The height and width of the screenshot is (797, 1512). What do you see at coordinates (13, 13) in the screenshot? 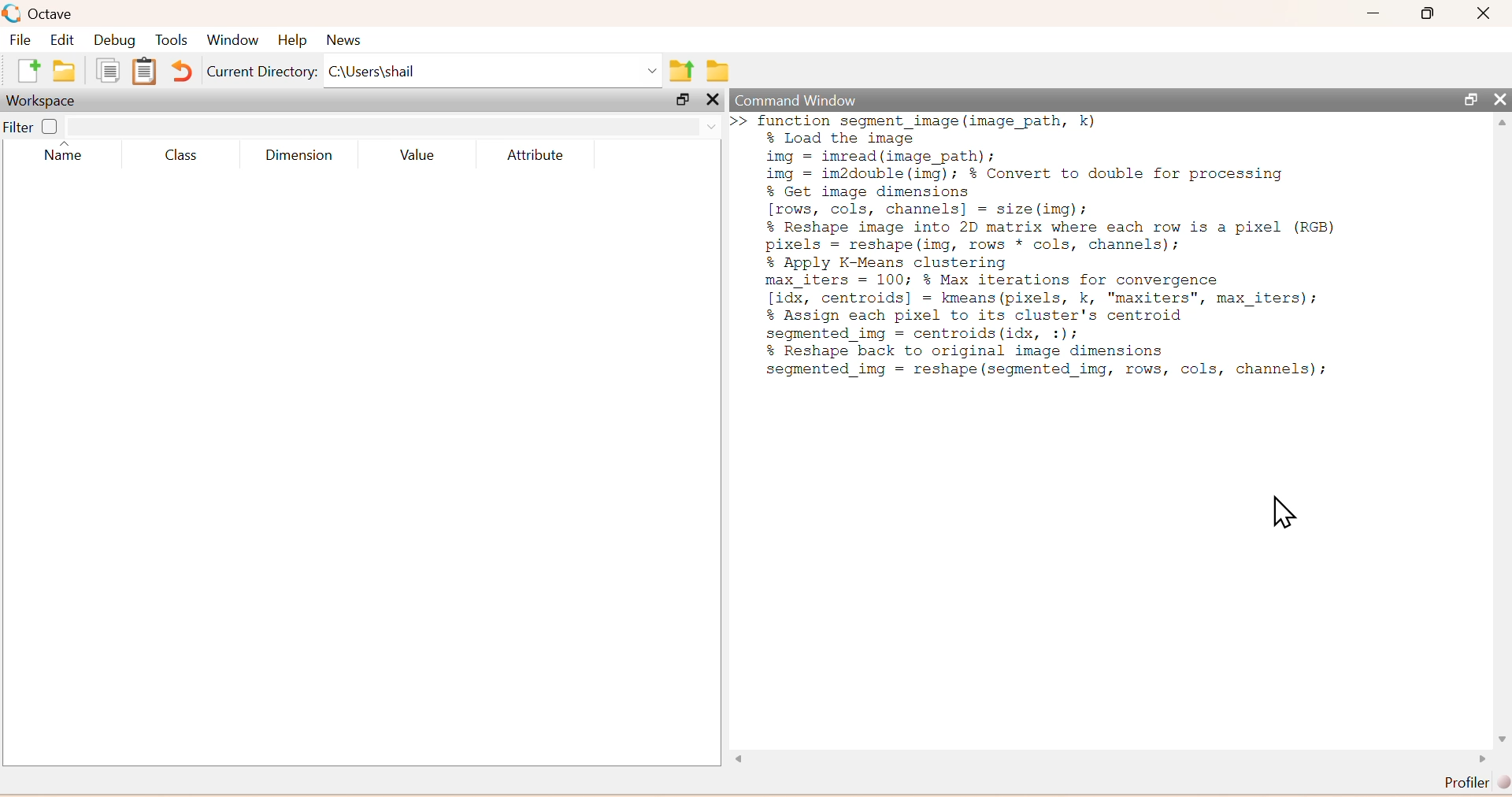
I see `logo` at bounding box center [13, 13].